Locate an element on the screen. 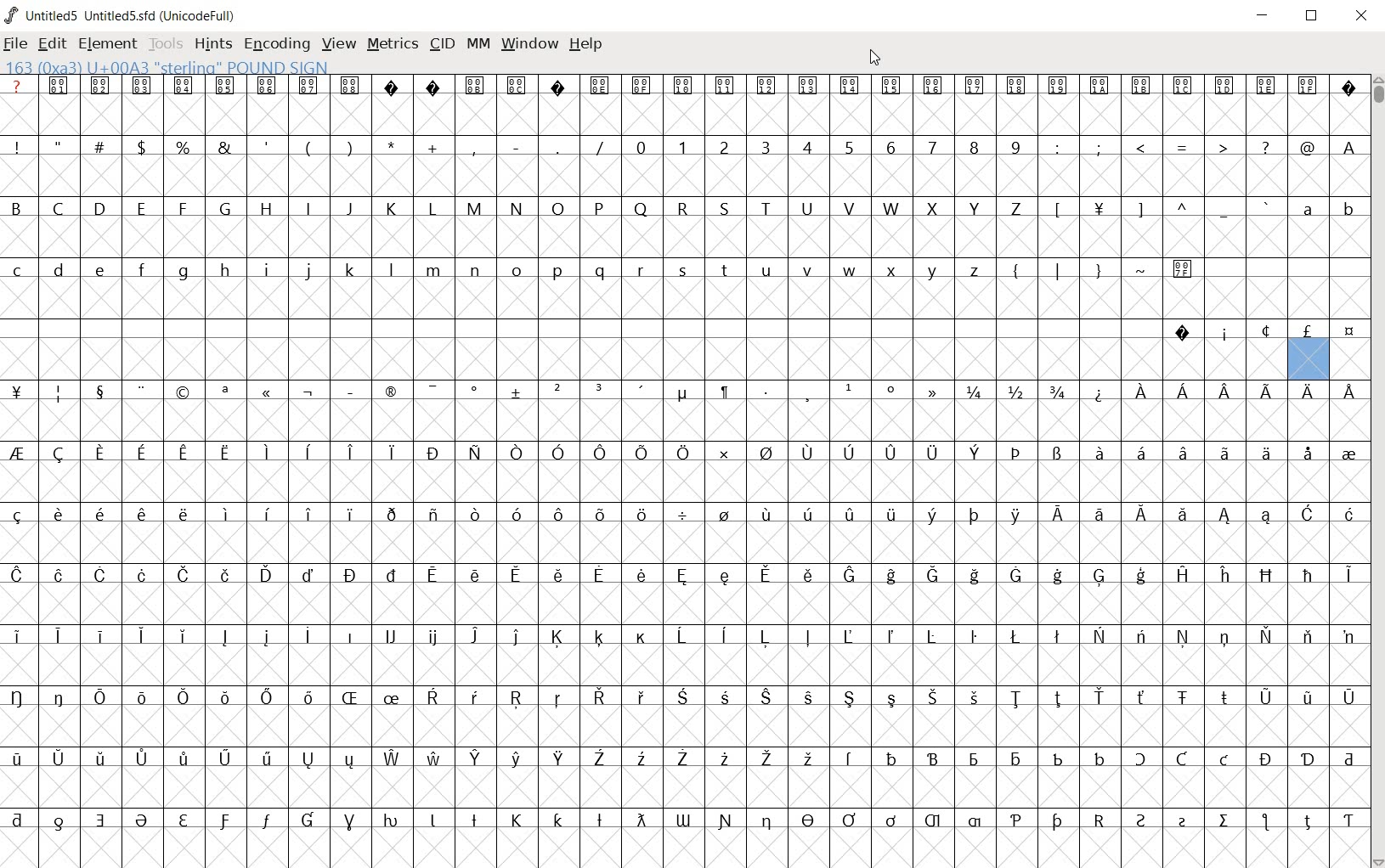 This screenshot has width=1385, height=868. Symbol is located at coordinates (1055, 822).